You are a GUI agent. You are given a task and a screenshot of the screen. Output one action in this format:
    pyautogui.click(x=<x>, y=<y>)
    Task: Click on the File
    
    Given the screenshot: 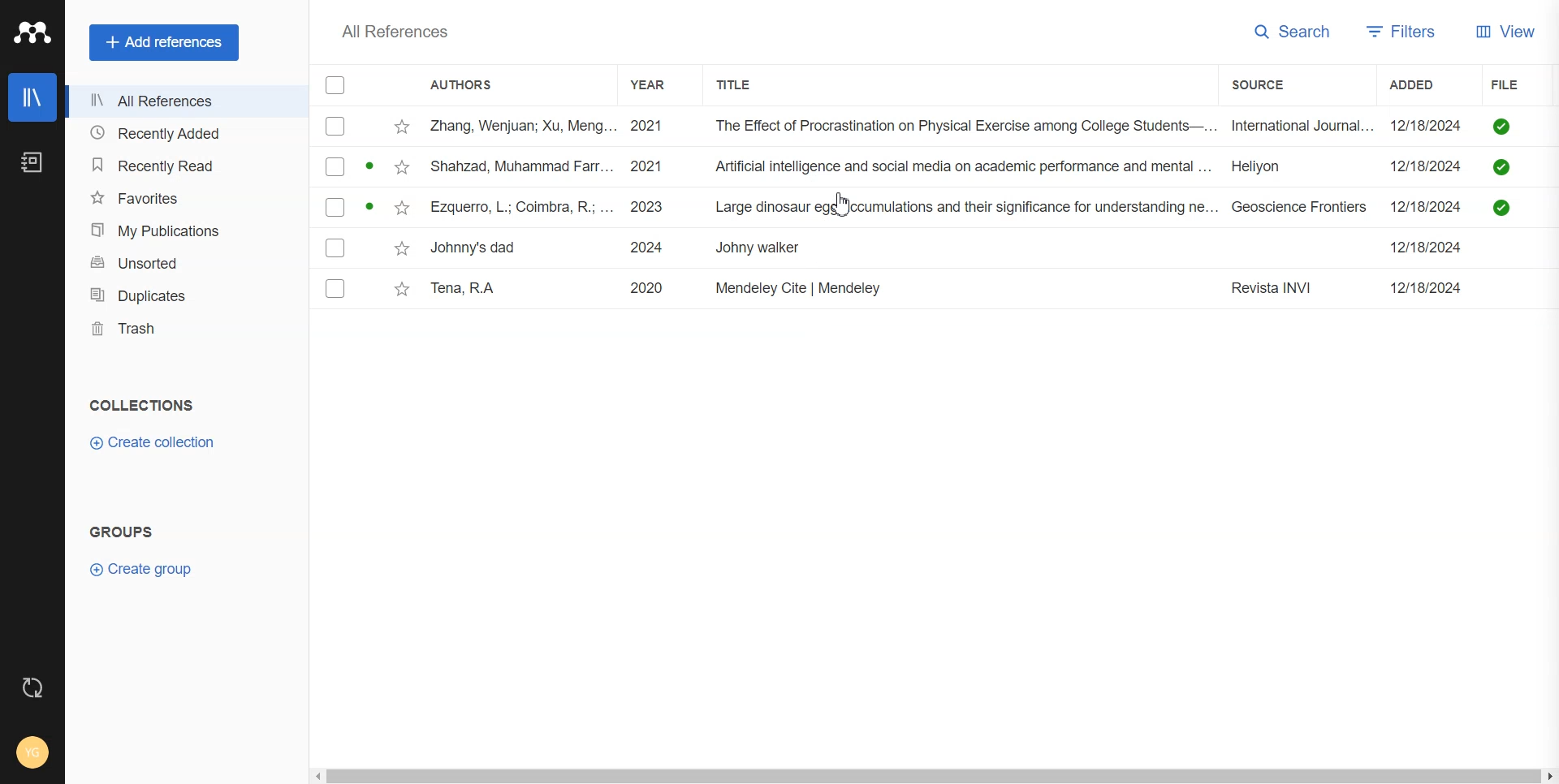 What is the action you would take?
    pyautogui.click(x=904, y=166)
    